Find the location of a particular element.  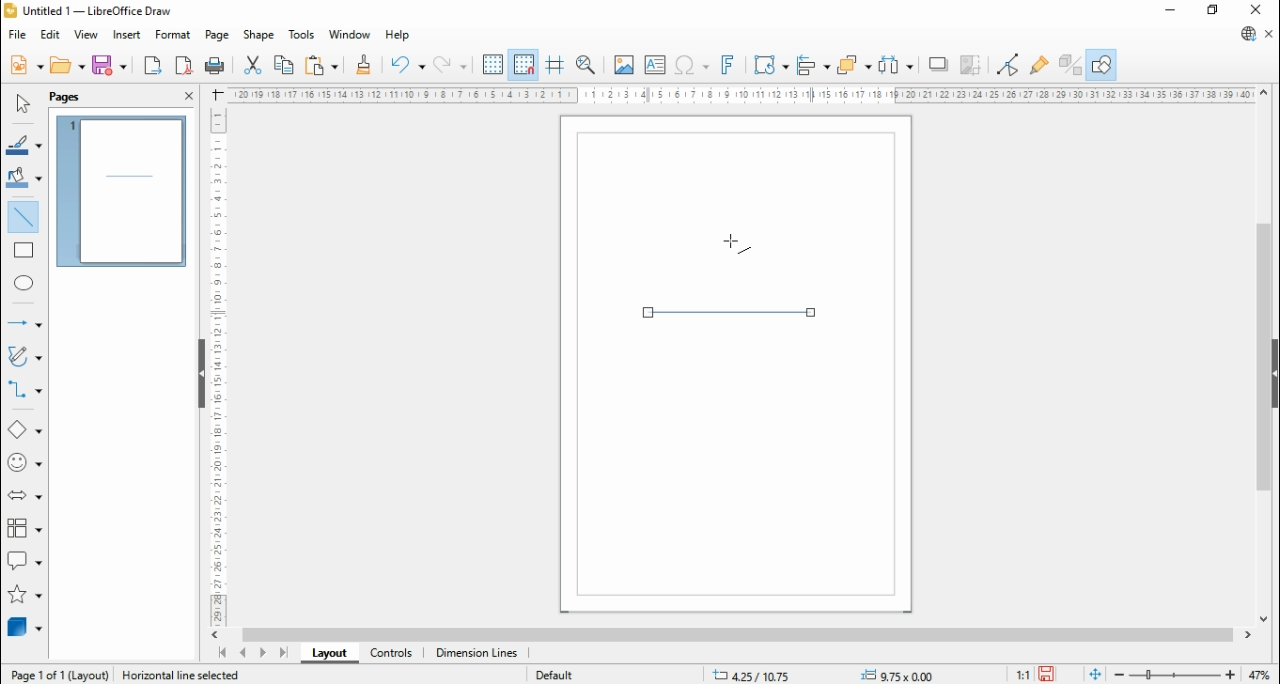

minimize is located at coordinates (1171, 12).